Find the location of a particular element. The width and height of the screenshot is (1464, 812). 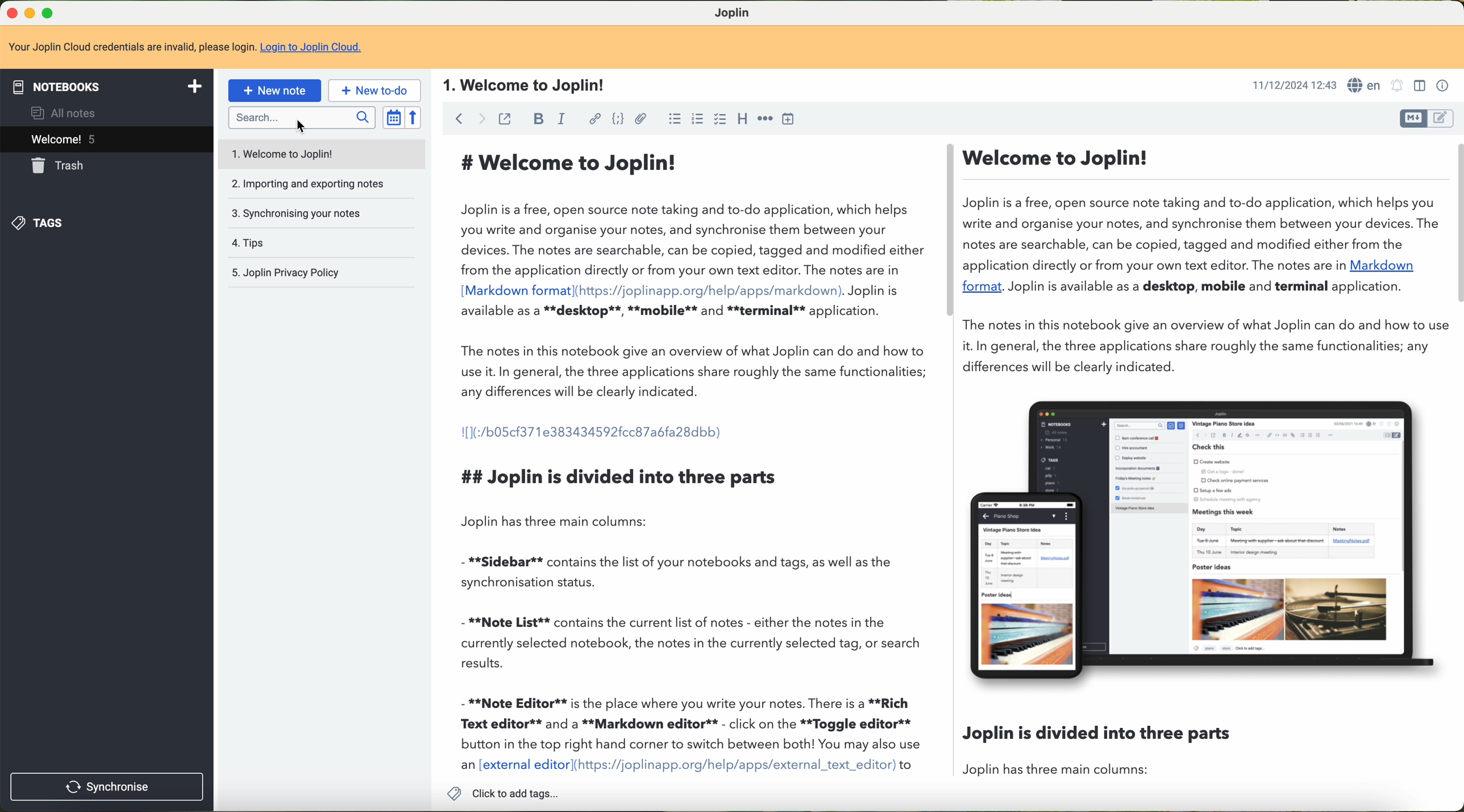

minimize Joplin is located at coordinates (30, 14).